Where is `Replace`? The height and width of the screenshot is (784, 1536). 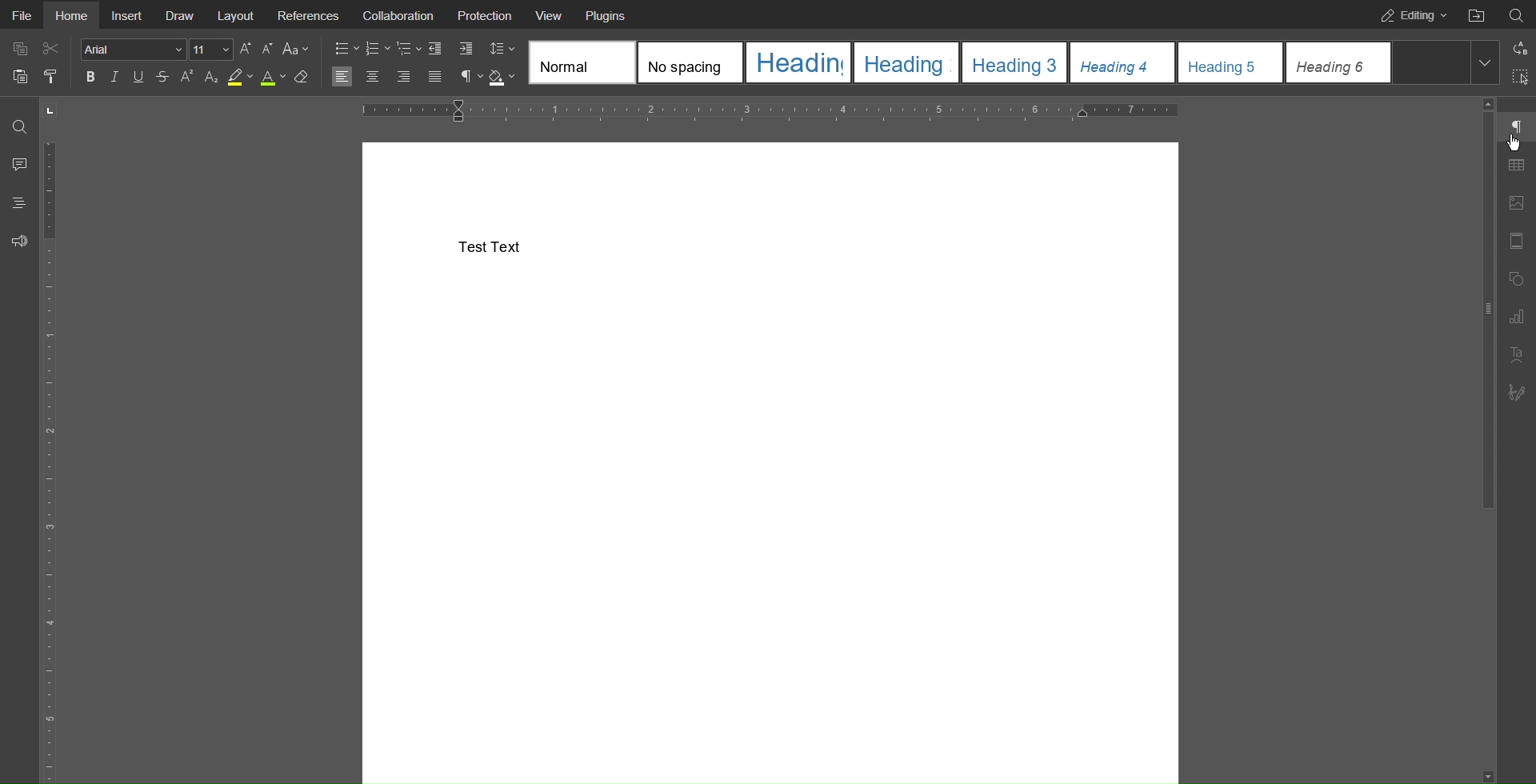 Replace is located at coordinates (1518, 48).